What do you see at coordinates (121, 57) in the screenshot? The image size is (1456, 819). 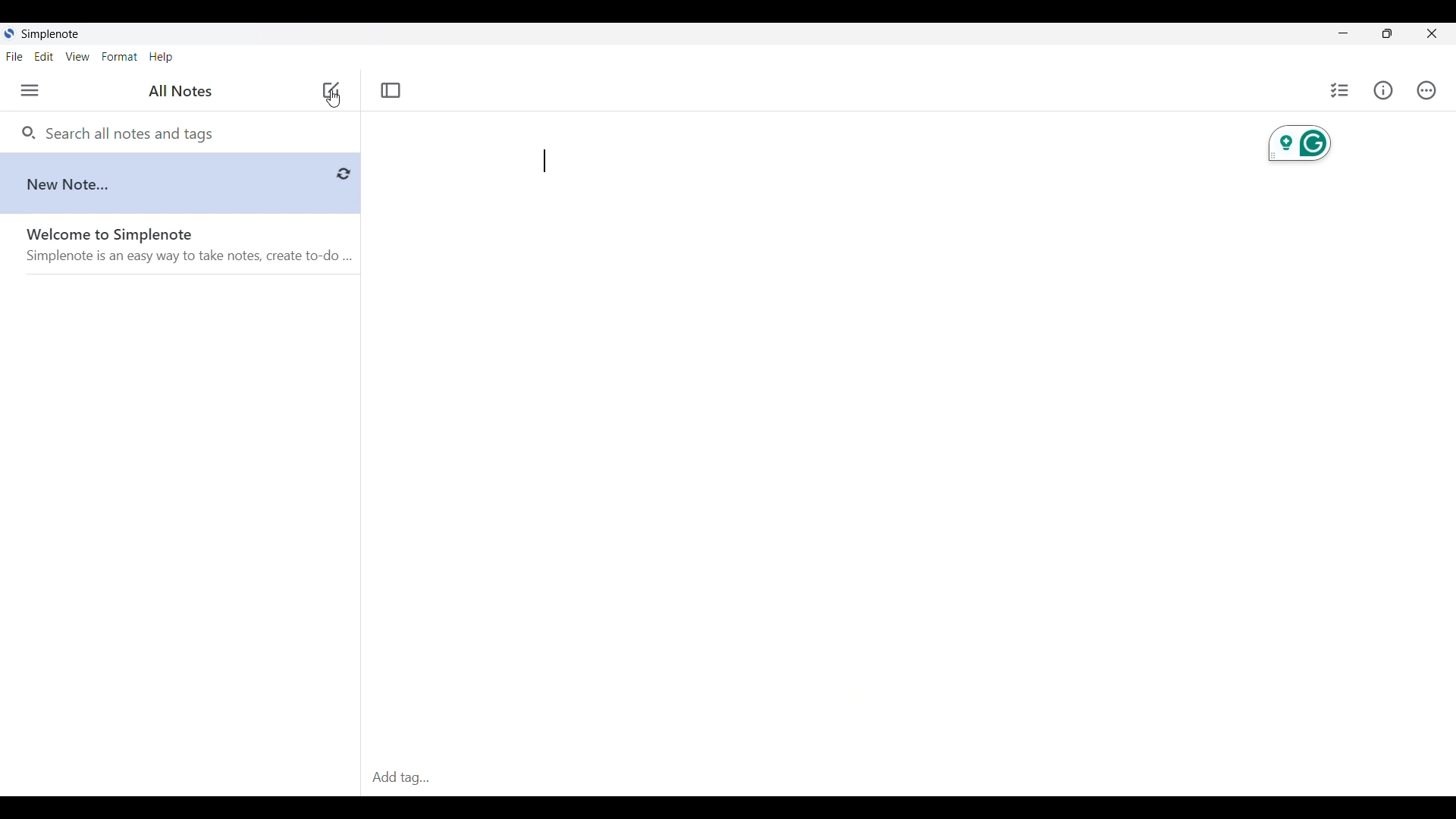 I see `Format` at bounding box center [121, 57].